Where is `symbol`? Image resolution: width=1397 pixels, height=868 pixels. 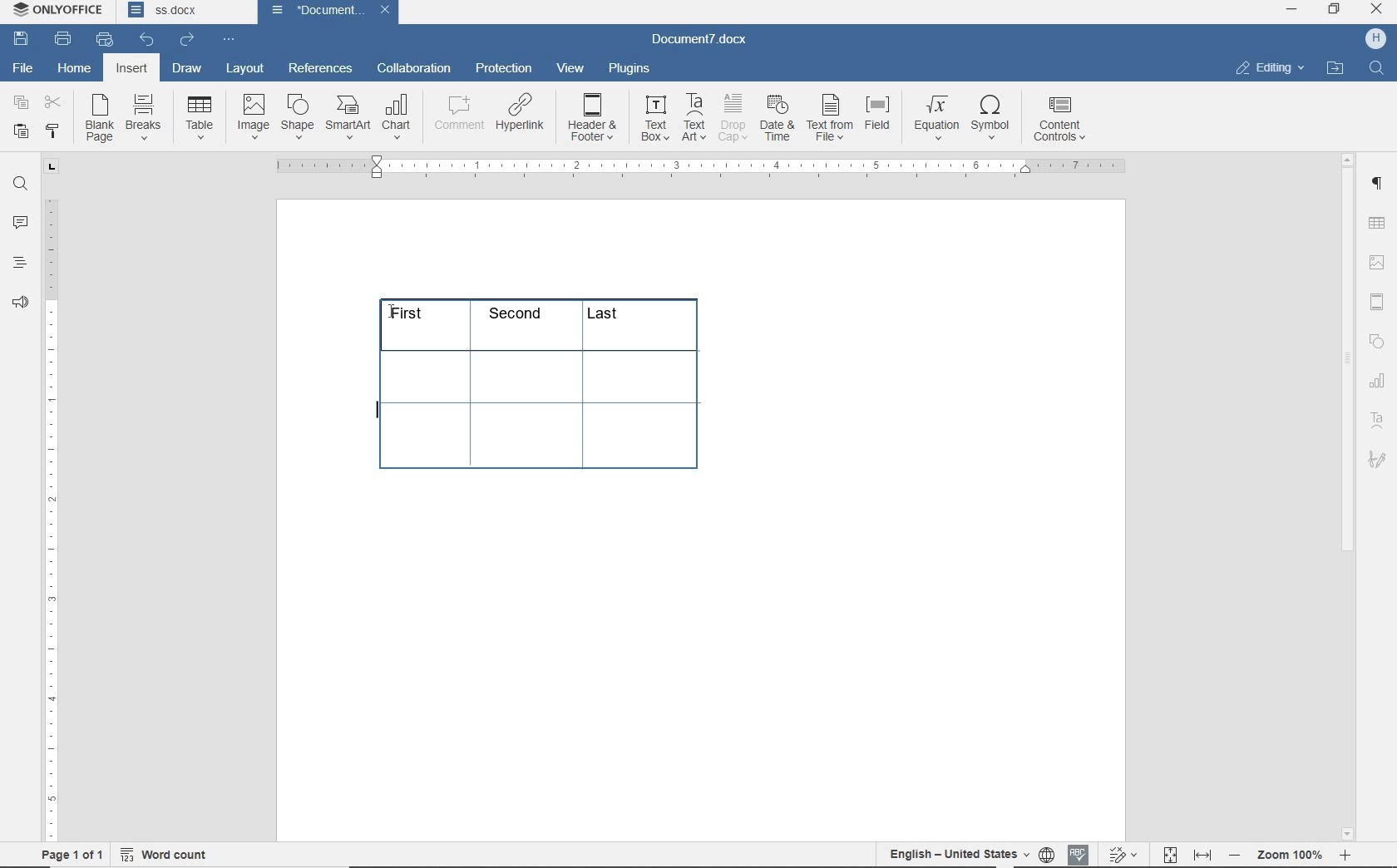 symbol is located at coordinates (994, 116).